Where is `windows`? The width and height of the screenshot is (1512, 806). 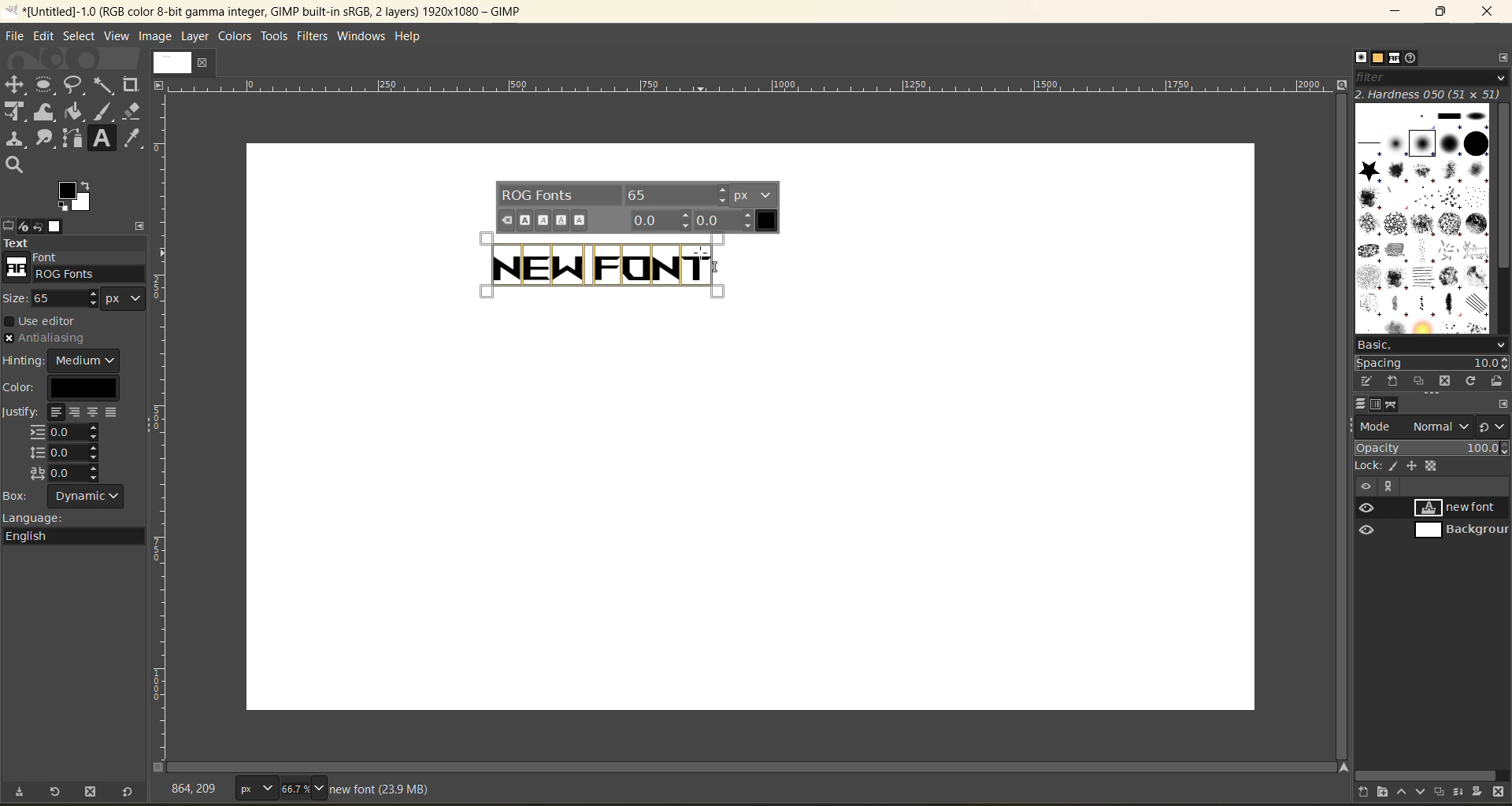 windows is located at coordinates (360, 38).